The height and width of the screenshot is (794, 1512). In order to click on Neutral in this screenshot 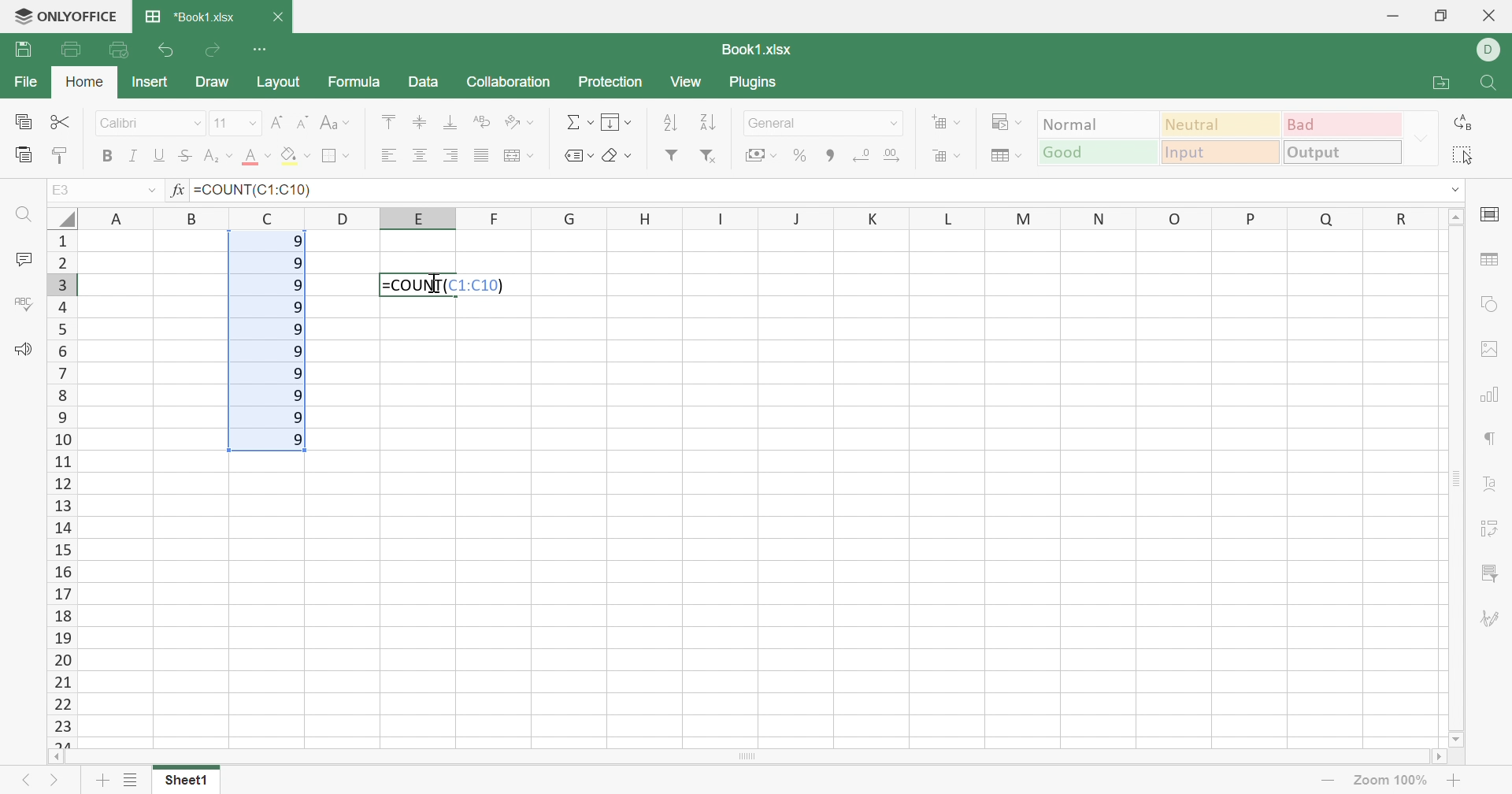, I will do `click(1221, 126)`.